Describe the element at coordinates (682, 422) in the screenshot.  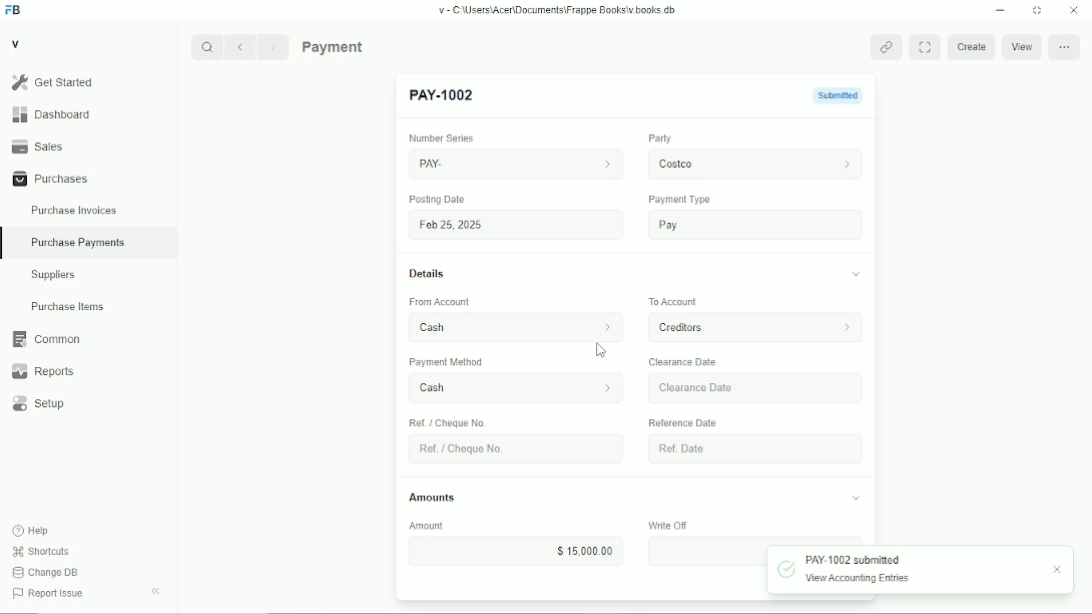
I see `‘Reference Date` at that location.